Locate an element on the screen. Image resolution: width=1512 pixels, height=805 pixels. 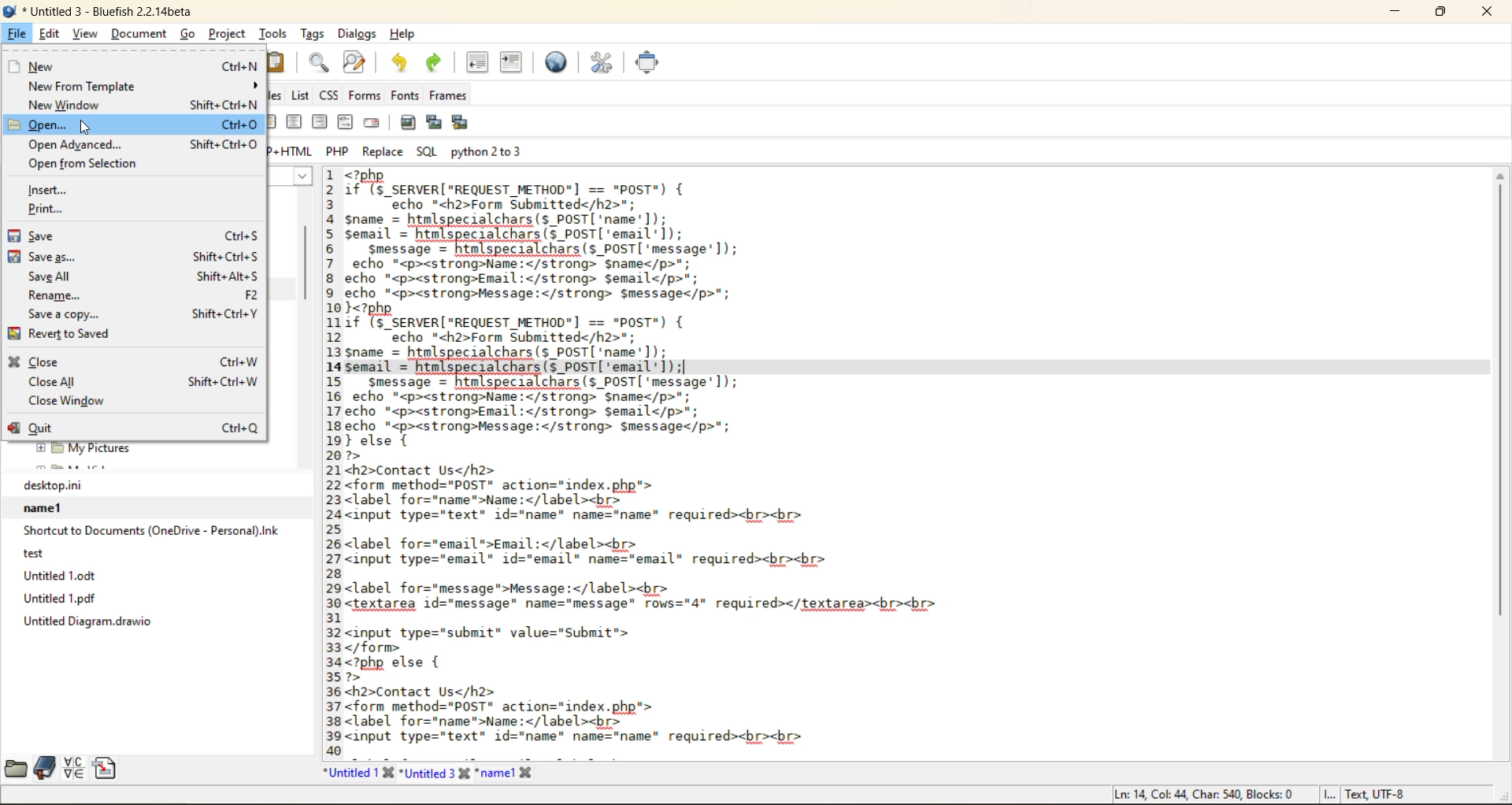
dialogs is located at coordinates (354, 35).